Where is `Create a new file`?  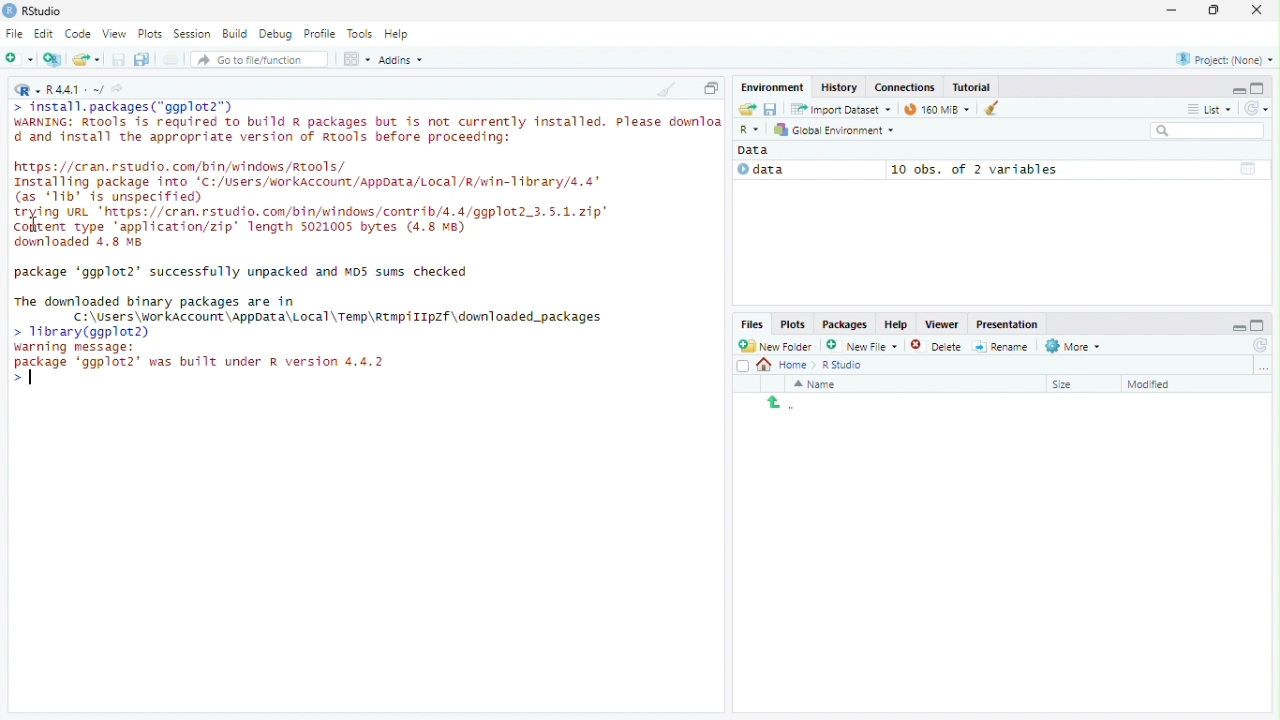
Create a new file is located at coordinates (20, 59).